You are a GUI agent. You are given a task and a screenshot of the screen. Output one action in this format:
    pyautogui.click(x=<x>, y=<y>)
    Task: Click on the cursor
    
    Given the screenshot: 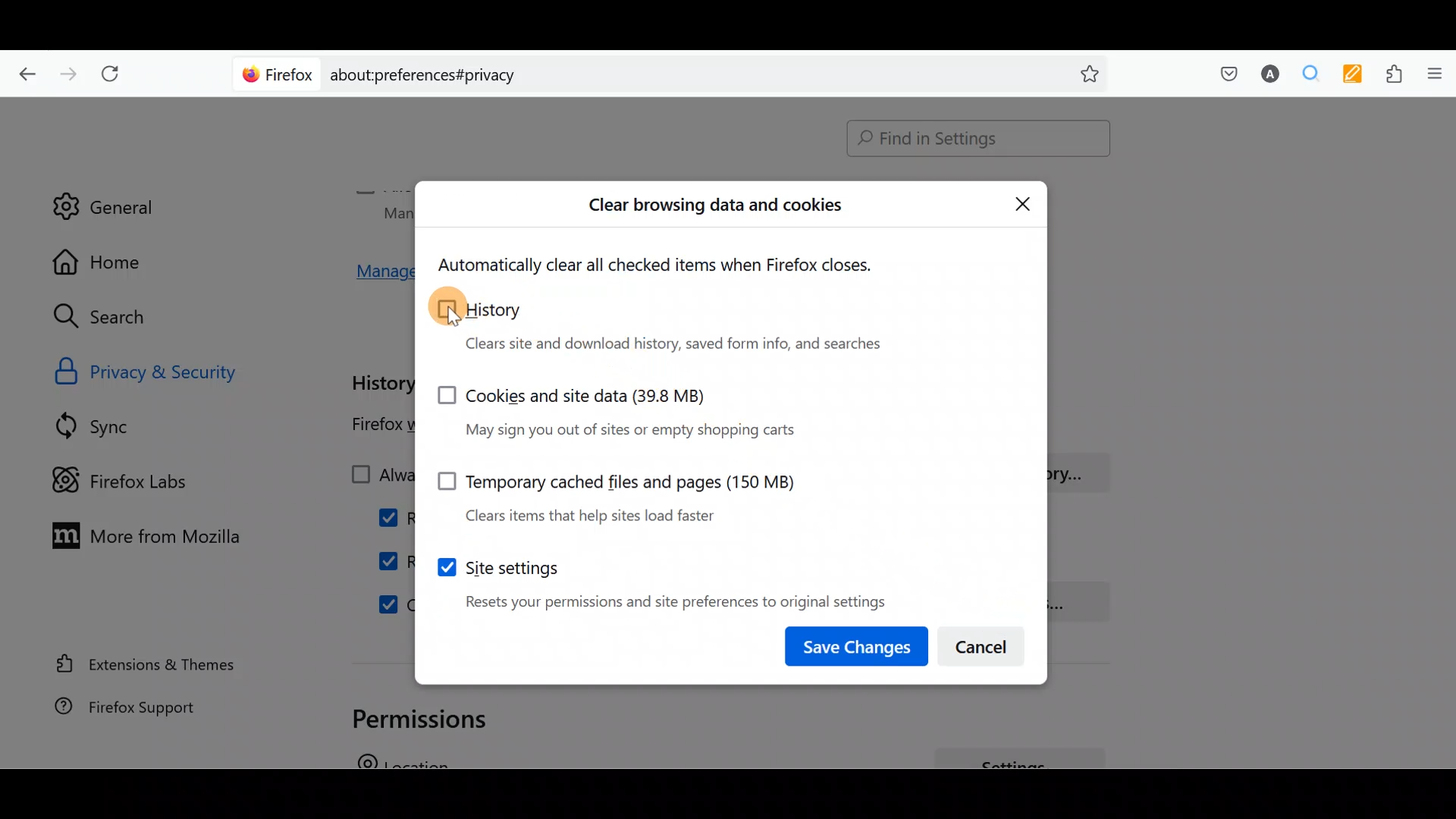 What is the action you would take?
    pyautogui.click(x=453, y=322)
    